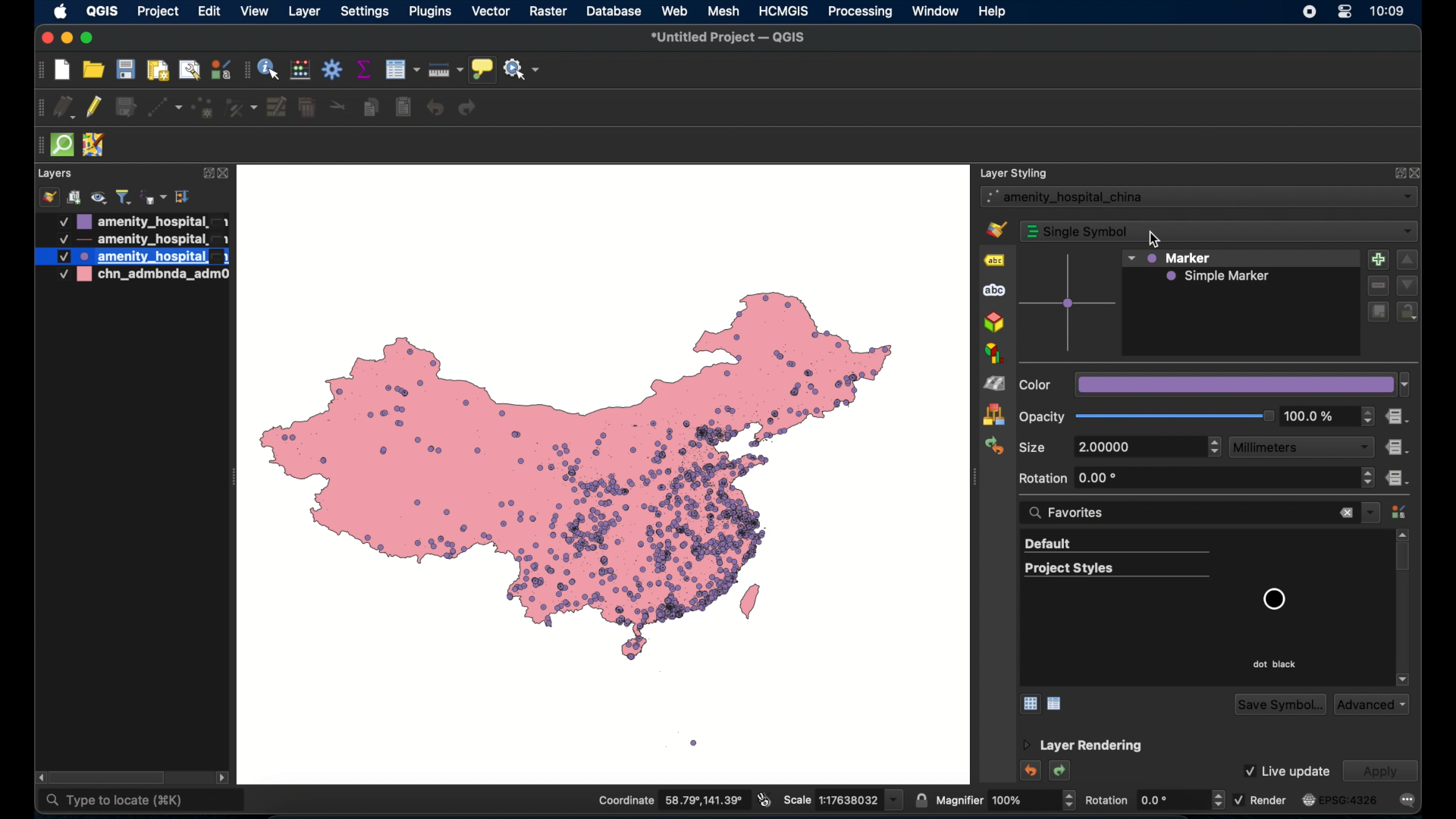 This screenshot has height=819, width=1456. I want to click on save project, so click(127, 71).